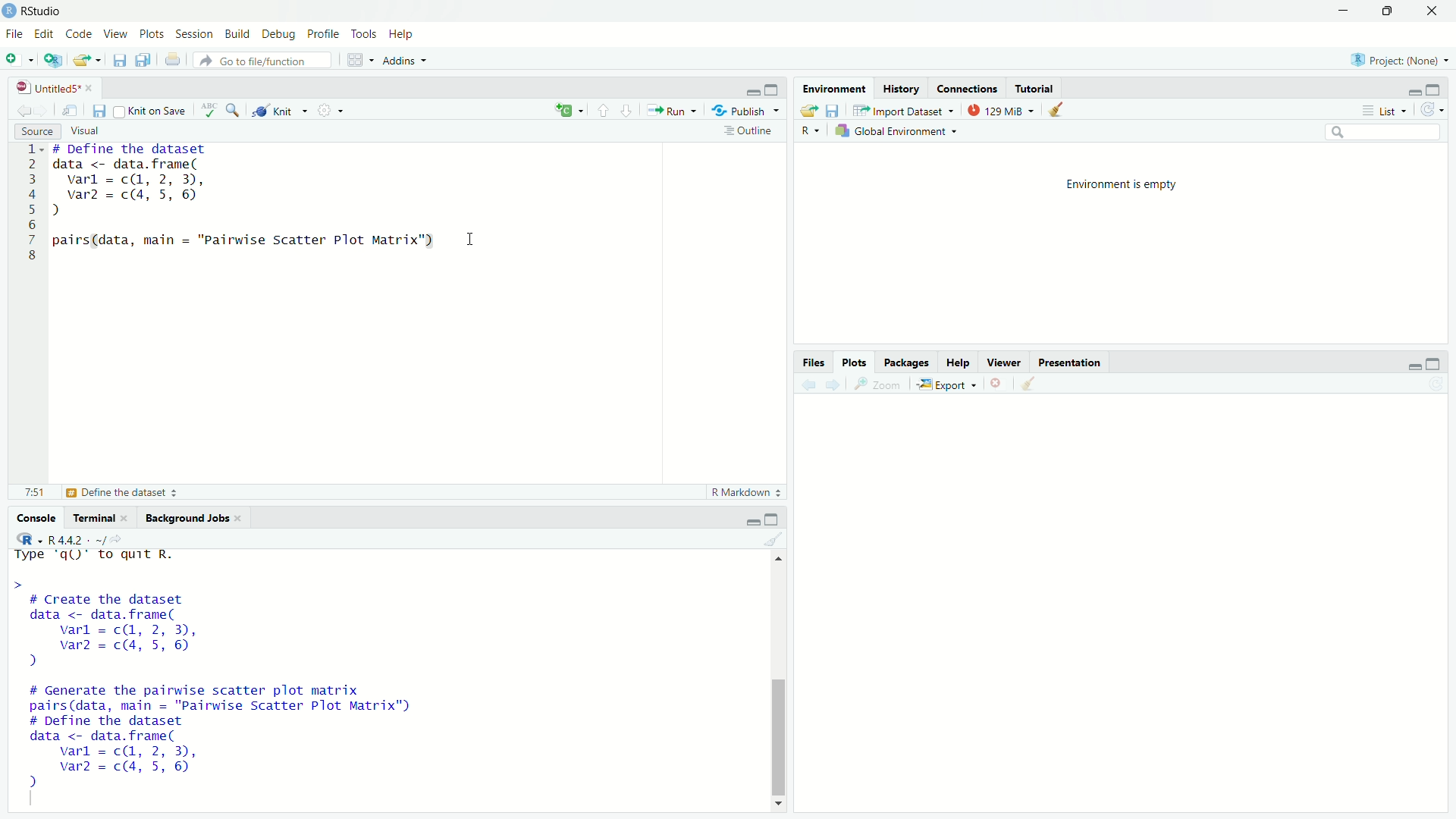 The image size is (1456, 819). What do you see at coordinates (1436, 384) in the screenshot?
I see `Refresh current plot` at bounding box center [1436, 384].